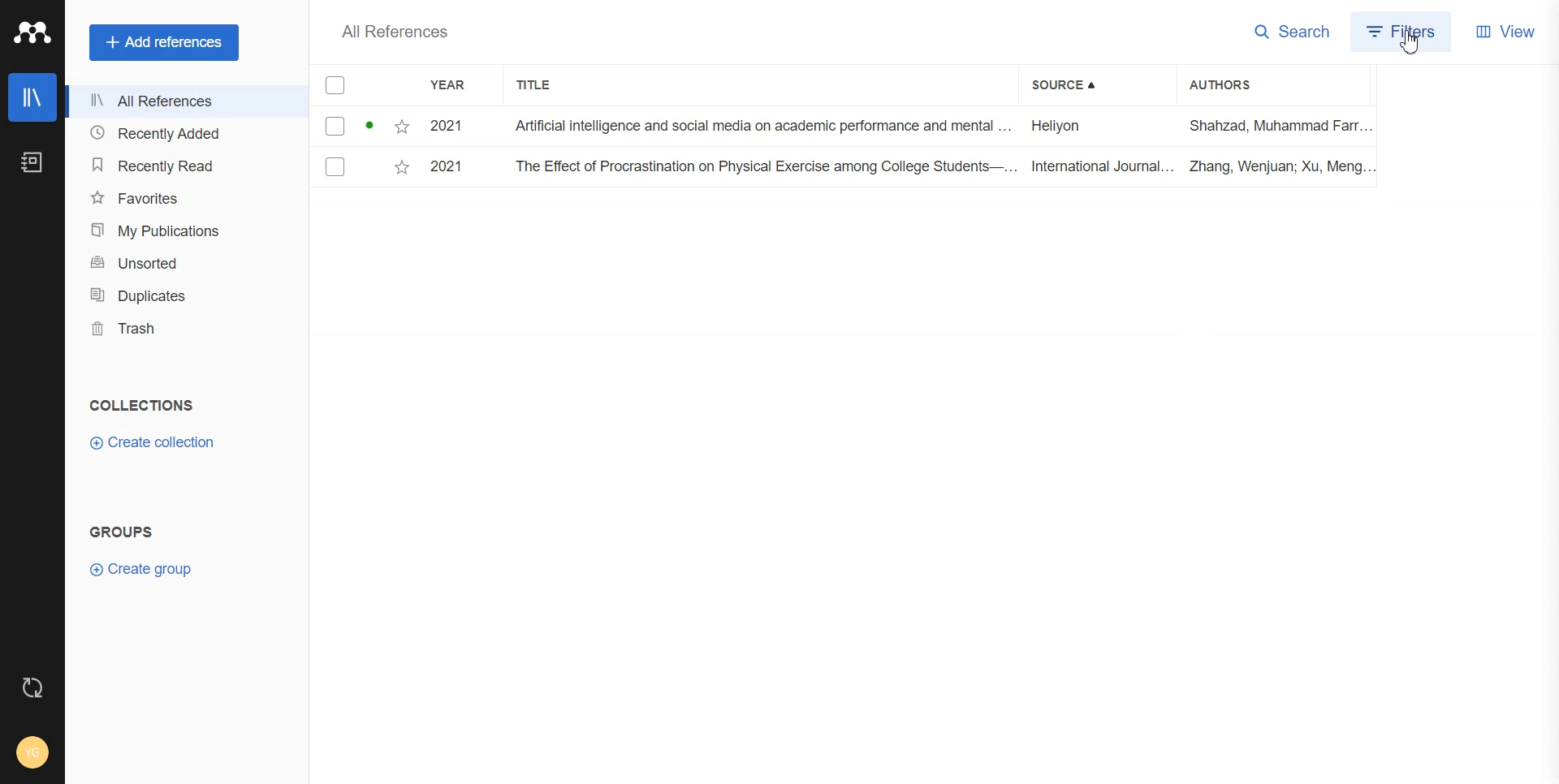 The height and width of the screenshot is (784, 1559). What do you see at coordinates (1228, 86) in the screenshot?
I see `Authors` at bounding box center [1228, 86].